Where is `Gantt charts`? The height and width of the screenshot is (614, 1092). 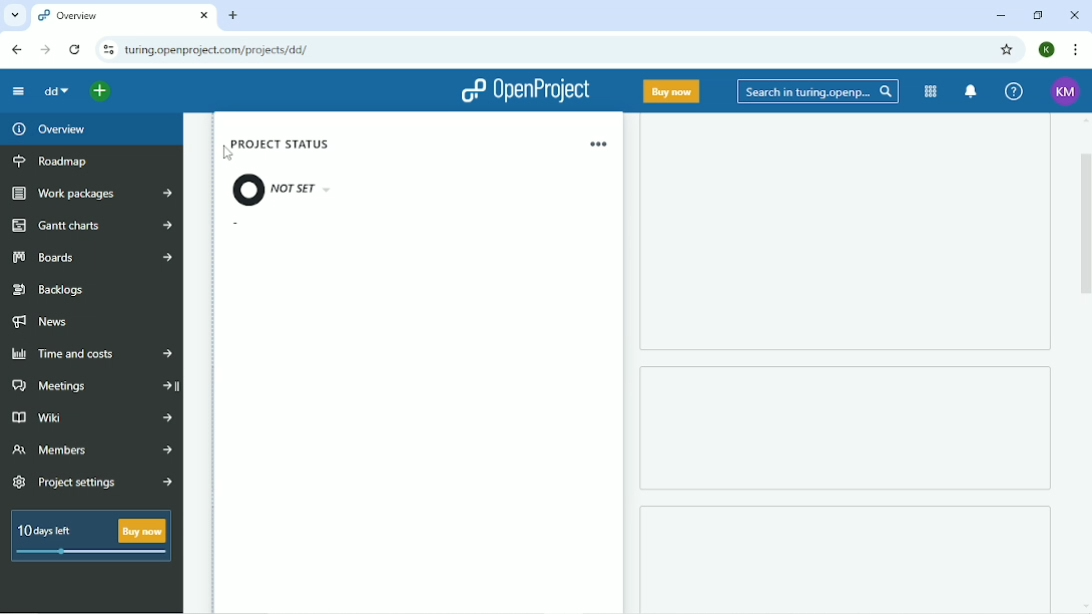 Gantt charts is located at coordinates (90, 227).